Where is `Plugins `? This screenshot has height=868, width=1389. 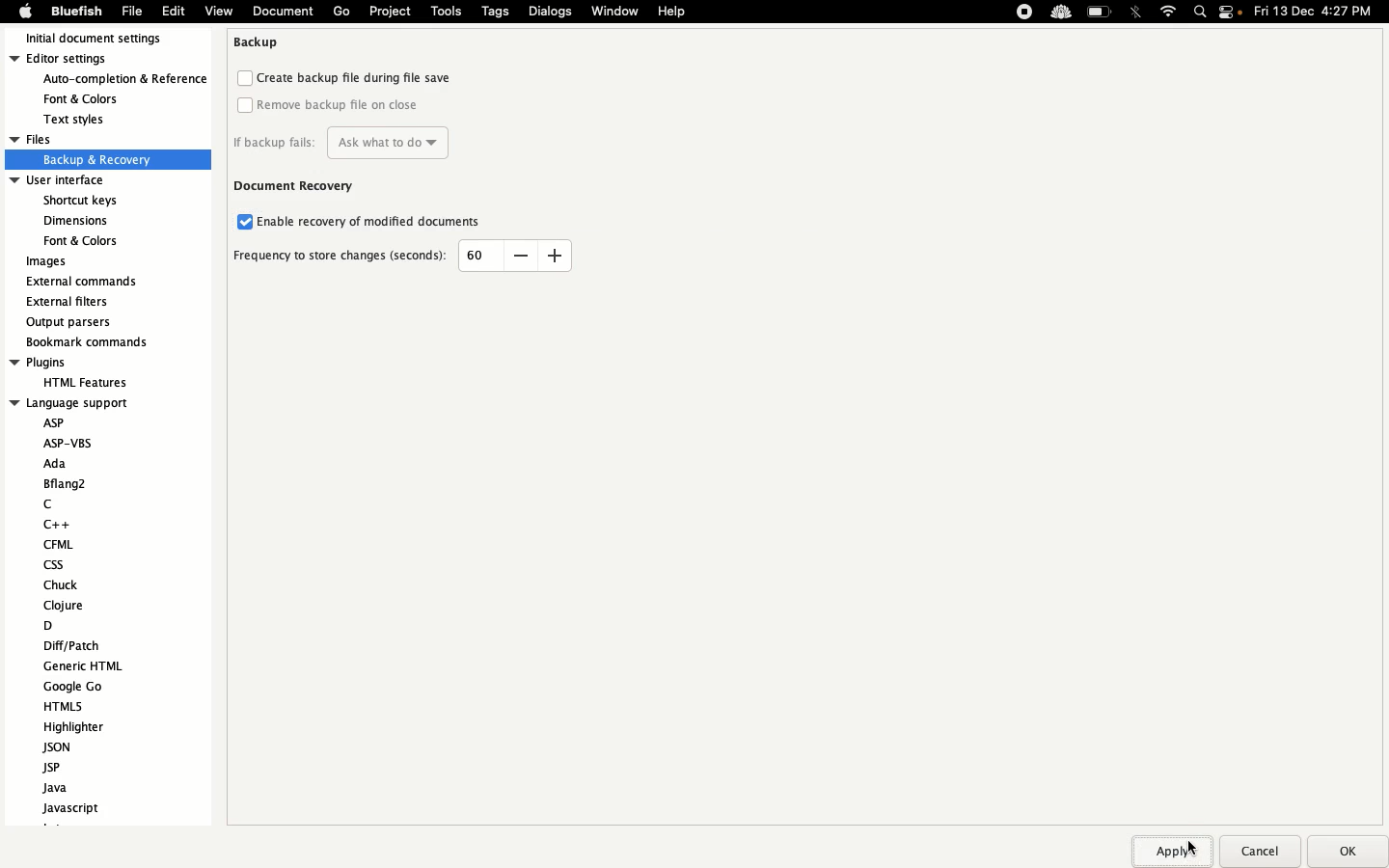
Plugins  is located at coordinates (77, 374).